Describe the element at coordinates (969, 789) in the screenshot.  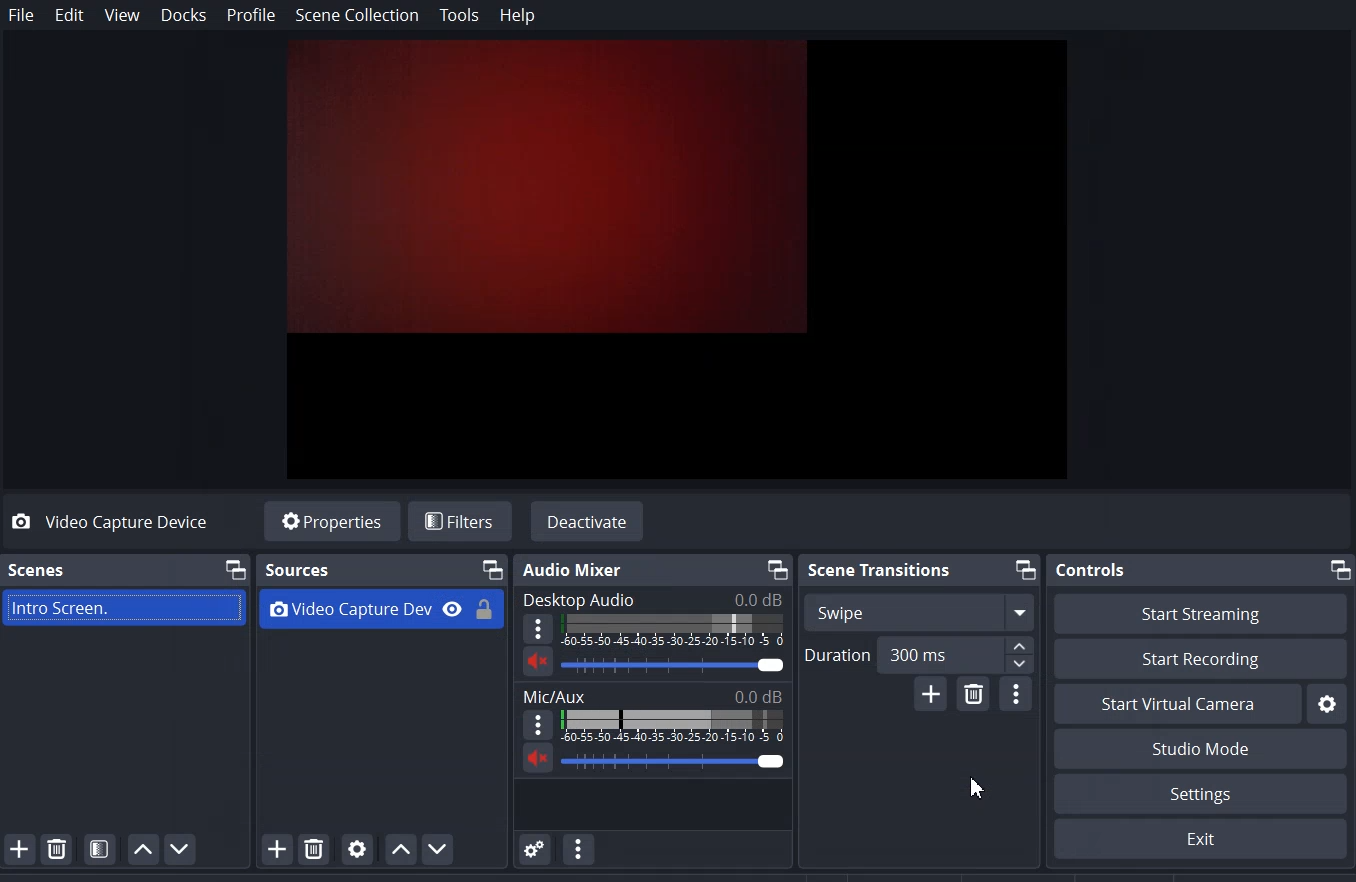
I see `Cursor` at that location.